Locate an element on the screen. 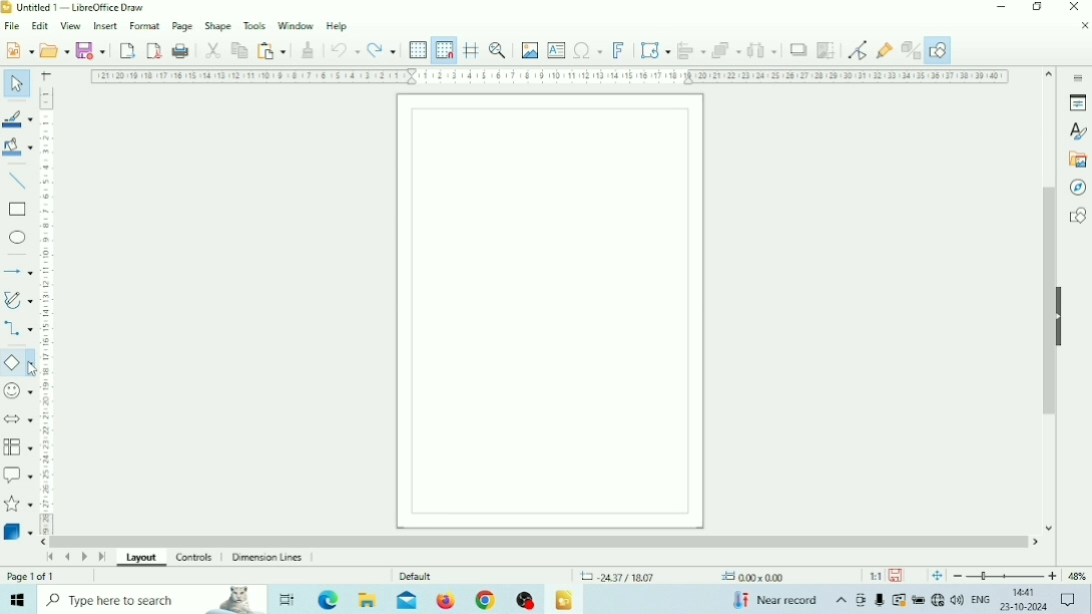 The height and width of the screenshot is (614, 1092). Task View is located at coordinates (287, 600).